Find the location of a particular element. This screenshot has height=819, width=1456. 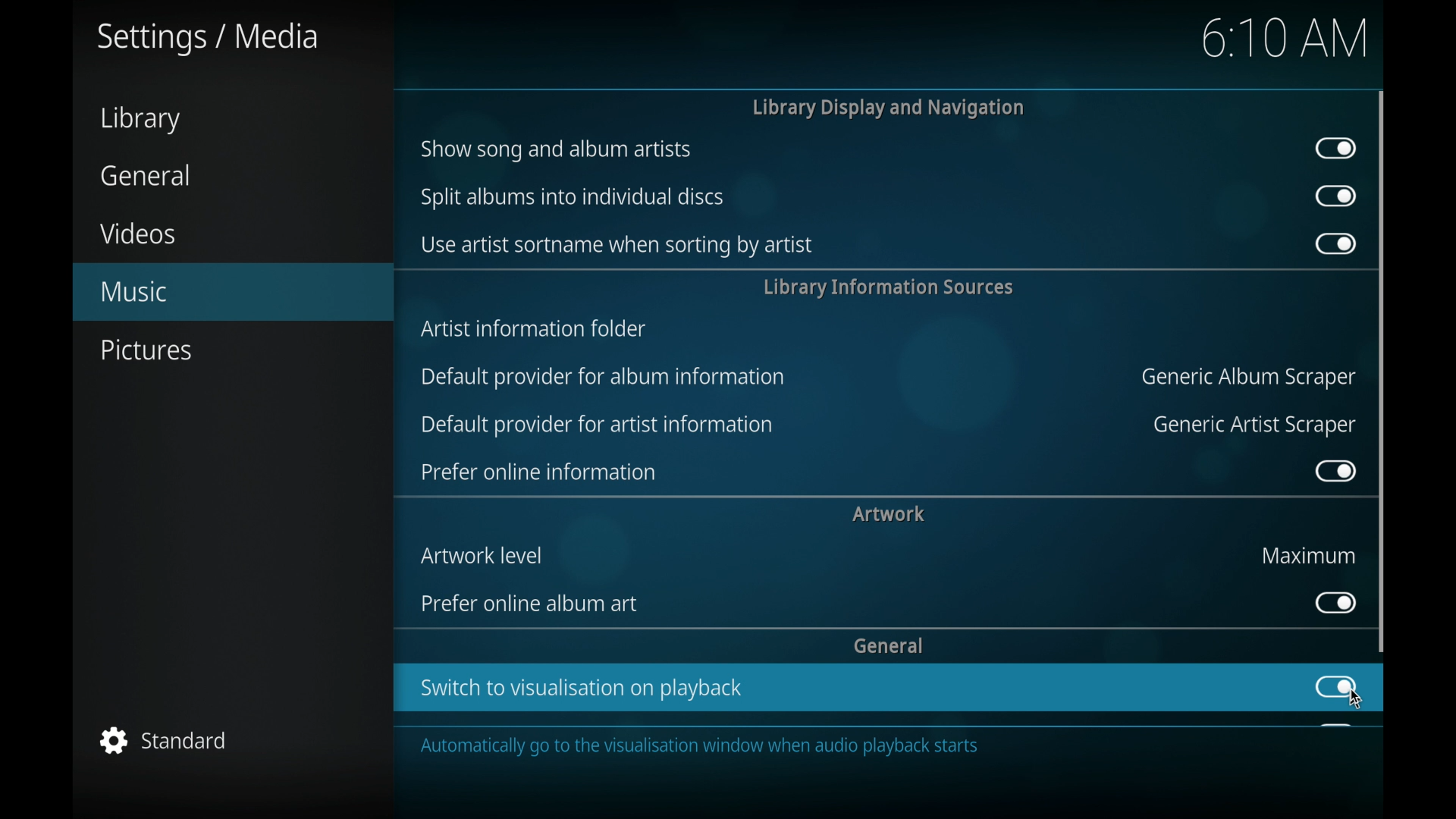

preferonlineinformation is located at coordinates (538, 472).